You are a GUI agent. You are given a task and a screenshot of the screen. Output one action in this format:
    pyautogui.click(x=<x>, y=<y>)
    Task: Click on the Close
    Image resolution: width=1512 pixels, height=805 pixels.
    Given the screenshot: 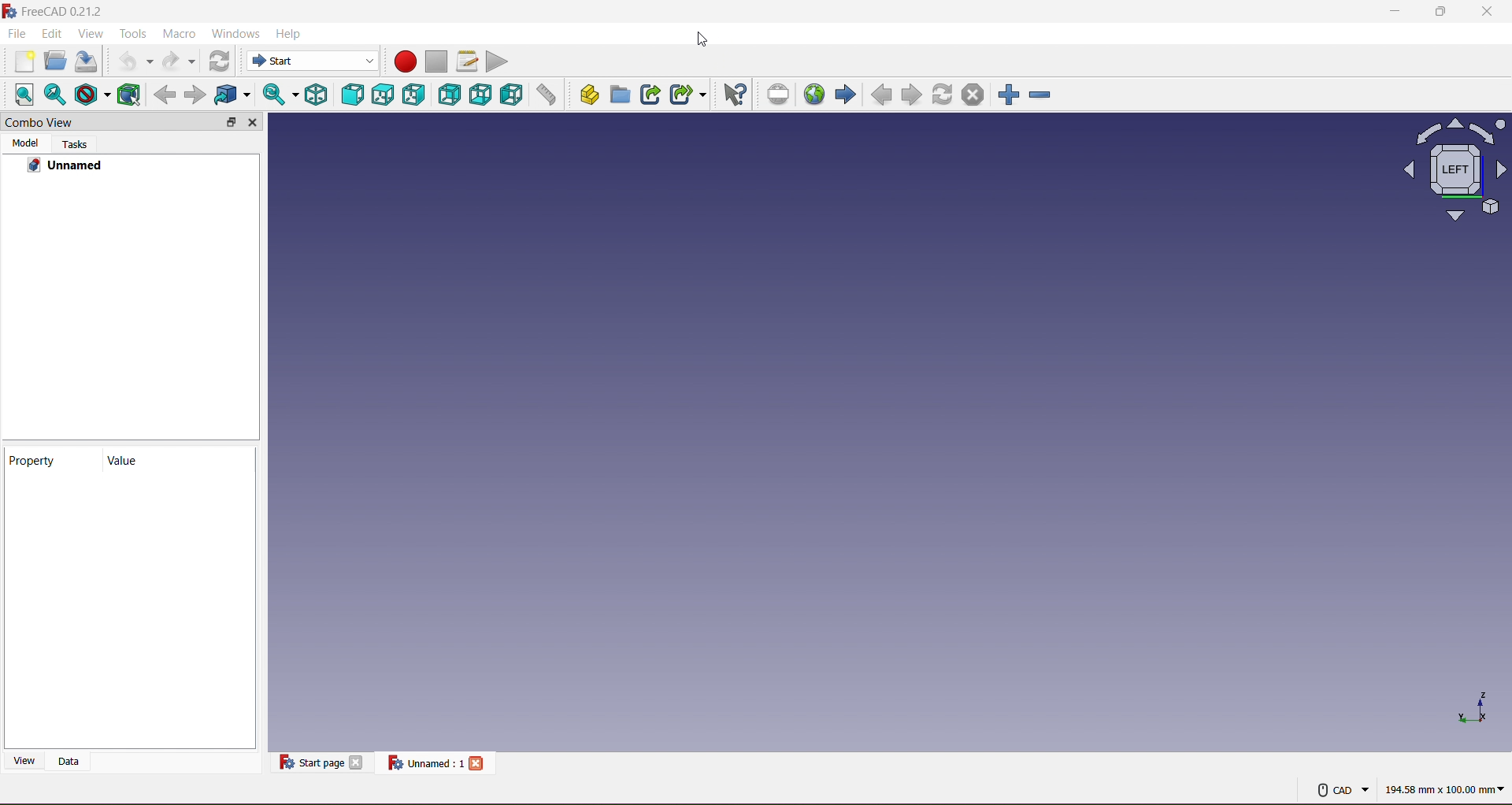 What is the action you would take?
    pyautogui.click(x=1487, y=10)
    